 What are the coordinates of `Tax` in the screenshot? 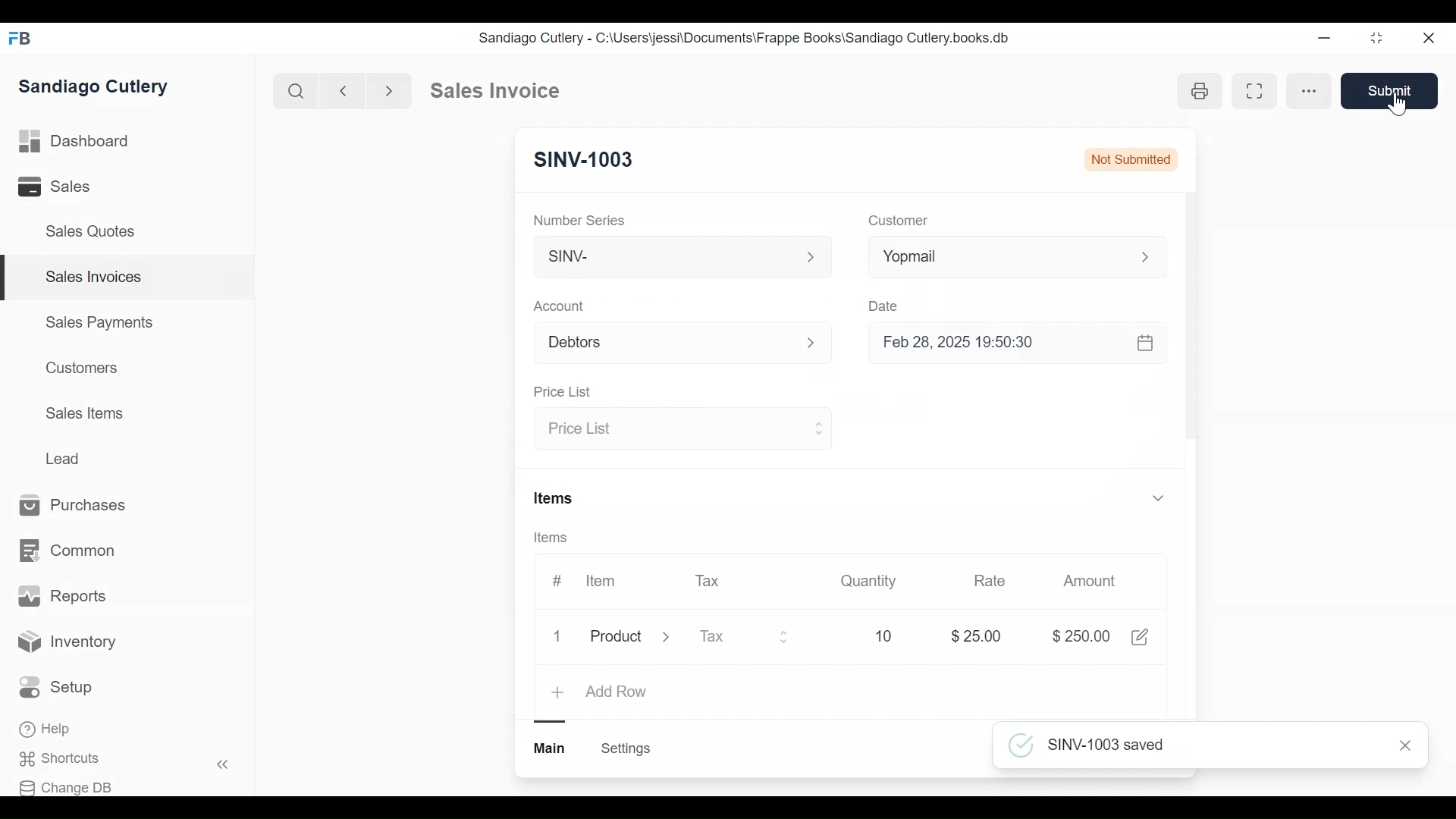 It's located at (708, 580).